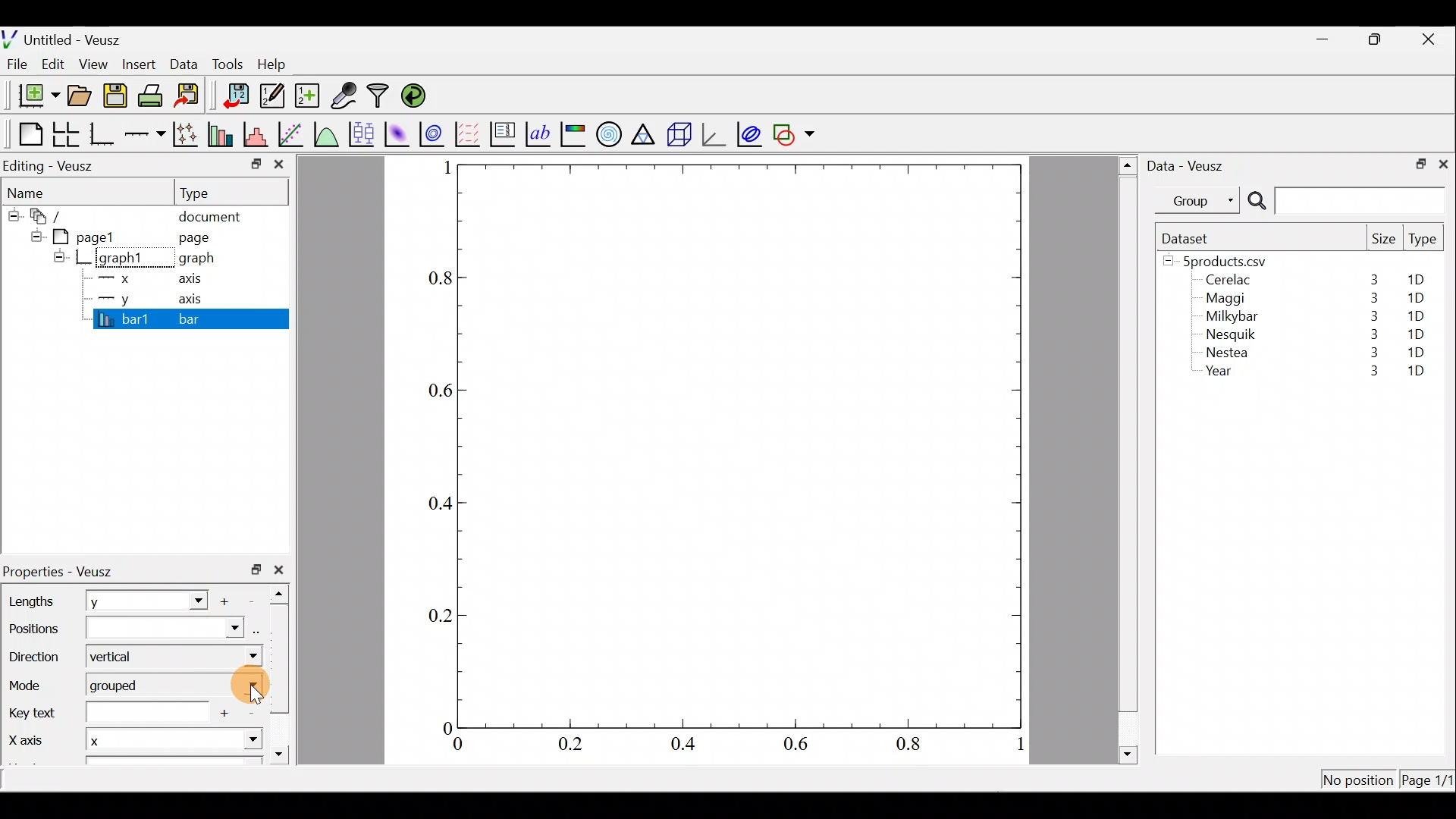  I want to click on Maggi, so click(1227, 300).